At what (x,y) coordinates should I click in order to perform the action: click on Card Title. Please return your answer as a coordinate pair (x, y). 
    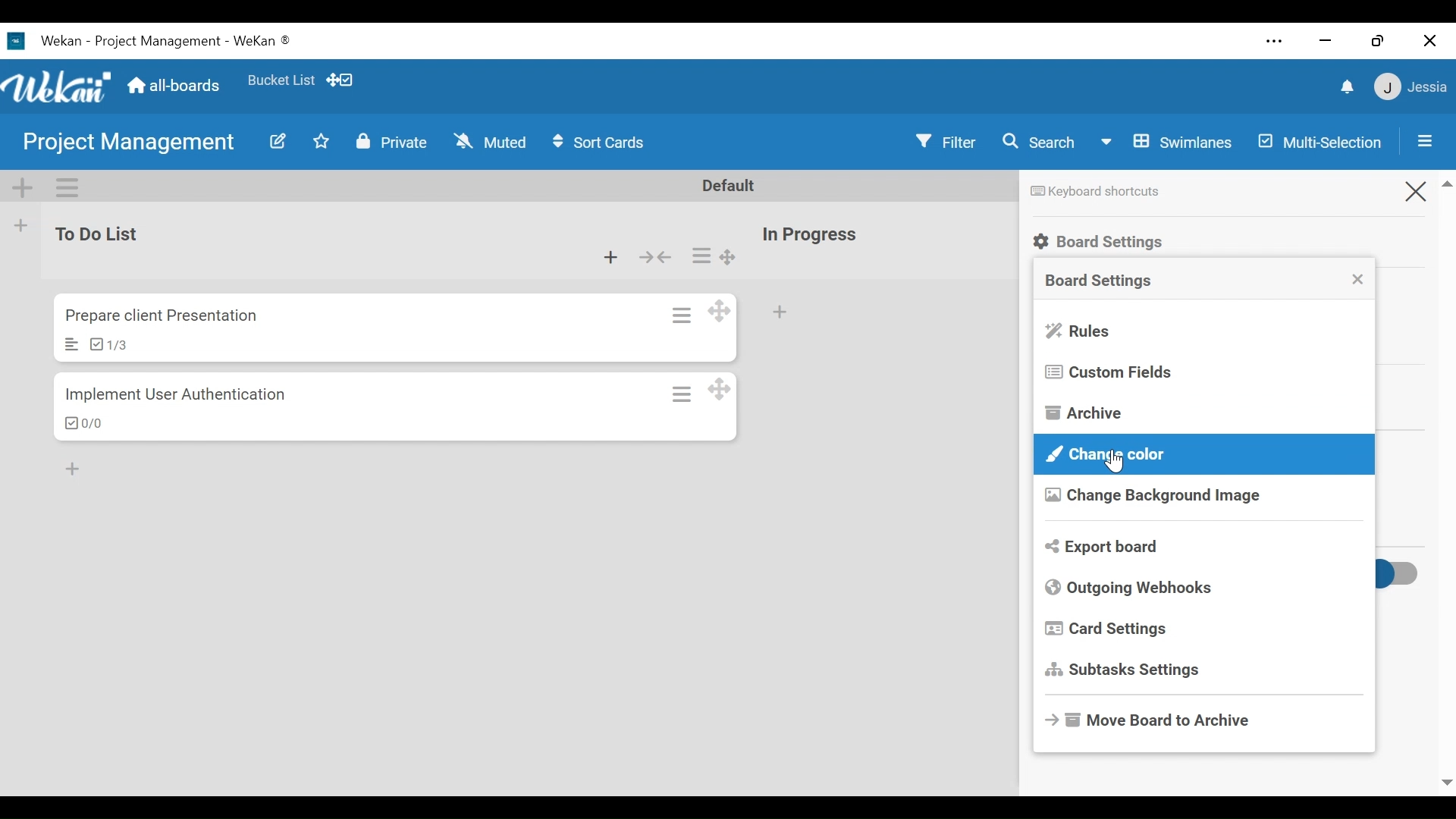
    Looking at the image, I should click on (178, 397).